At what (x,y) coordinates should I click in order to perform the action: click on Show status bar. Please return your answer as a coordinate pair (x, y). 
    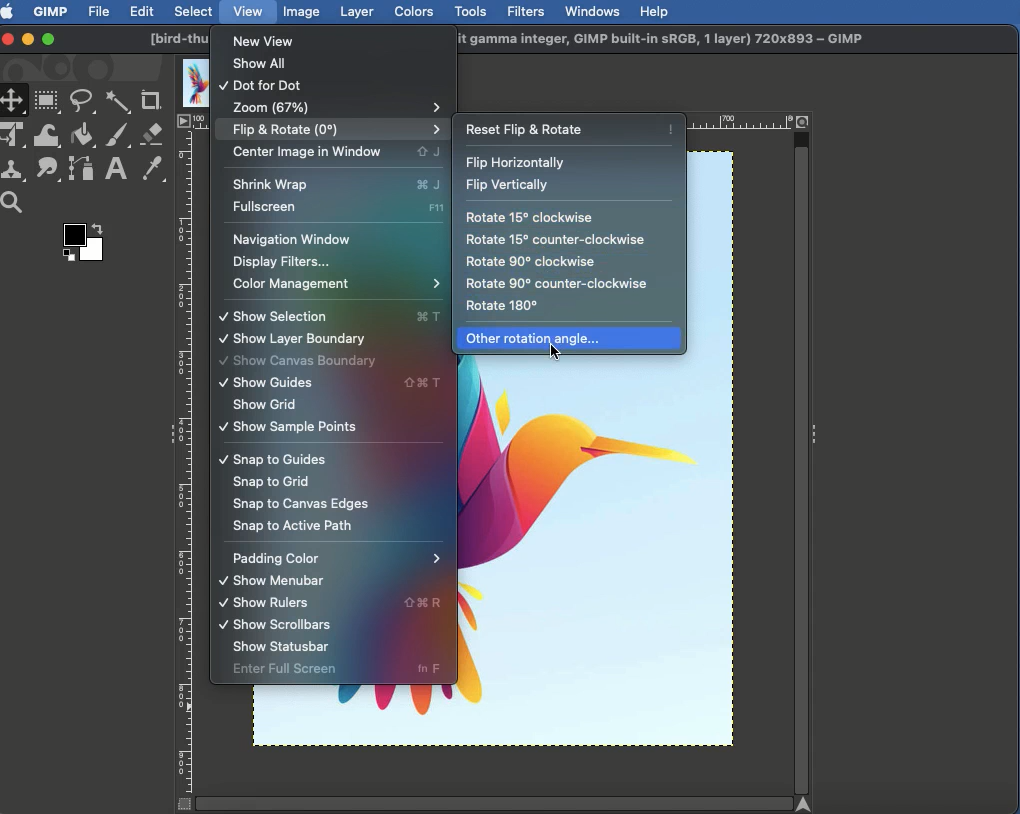
    Looking at the image, I should click on (282, 648).